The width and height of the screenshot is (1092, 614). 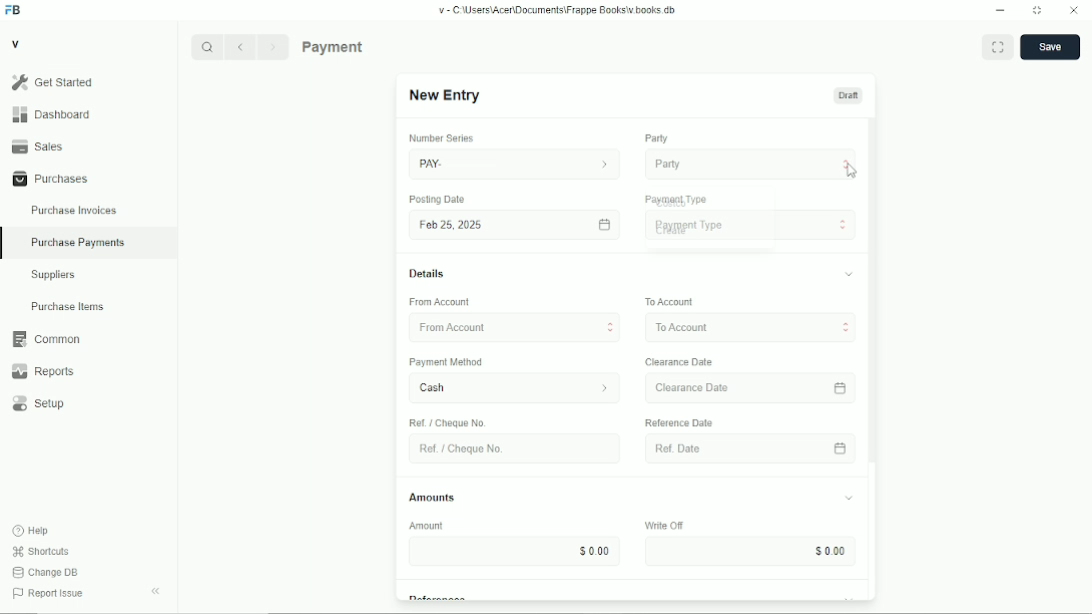 What do you see at coordinates (46, 573) in the screenshot?
I see `Change DB` at bounding box center [46, 573].